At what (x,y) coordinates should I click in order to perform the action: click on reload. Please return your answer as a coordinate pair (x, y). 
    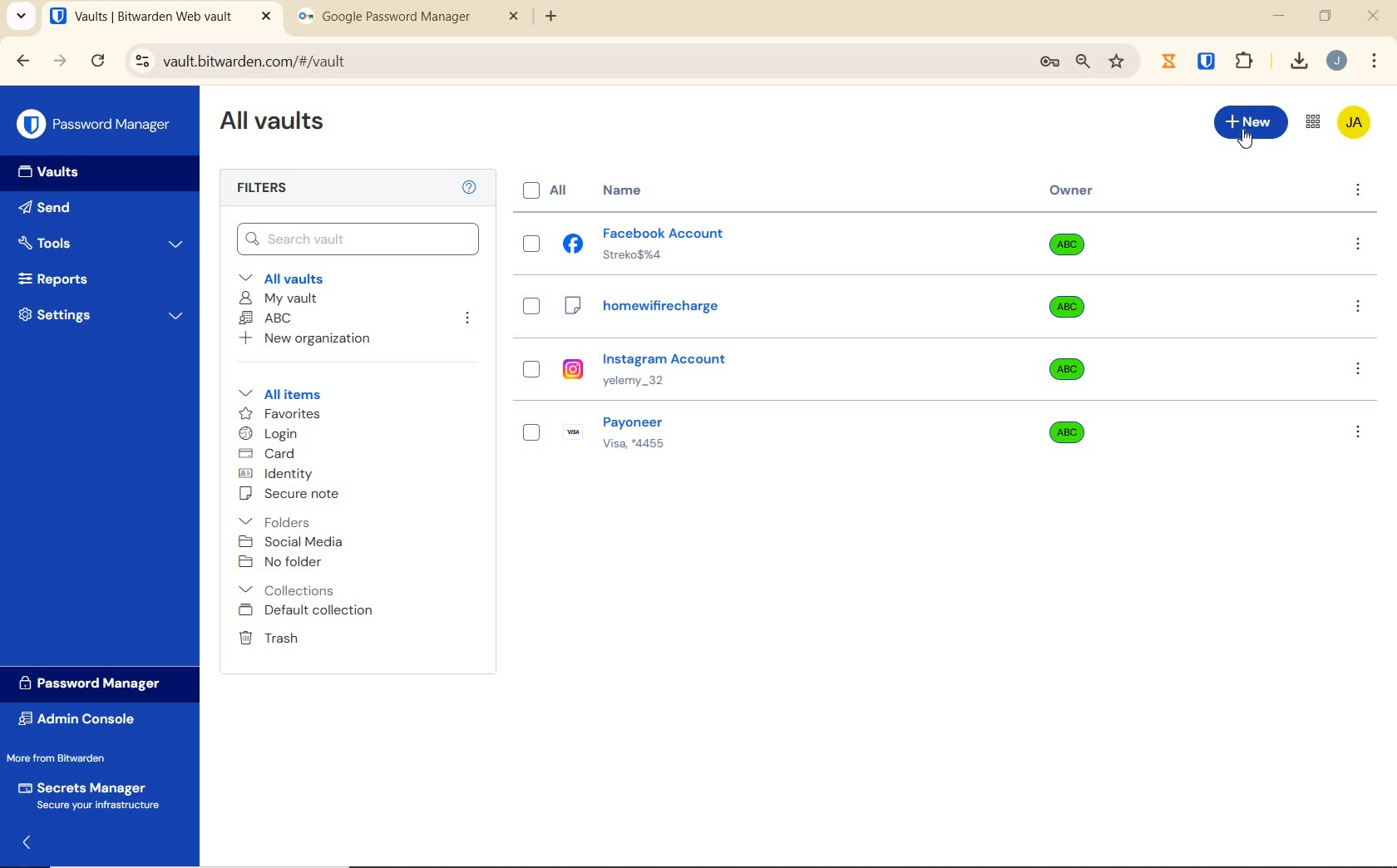
    Looking at the image, I should click on (97, 62).